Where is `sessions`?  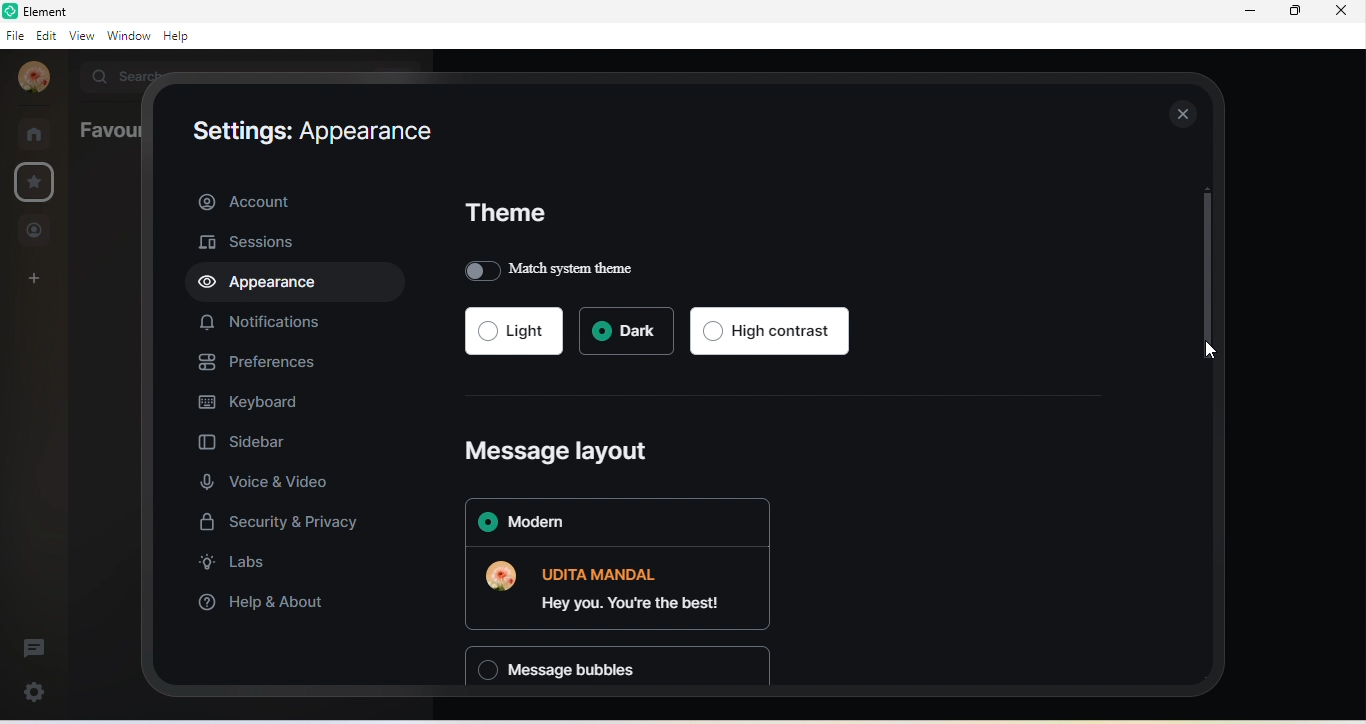
sessions is located at coordinates (250, 243).